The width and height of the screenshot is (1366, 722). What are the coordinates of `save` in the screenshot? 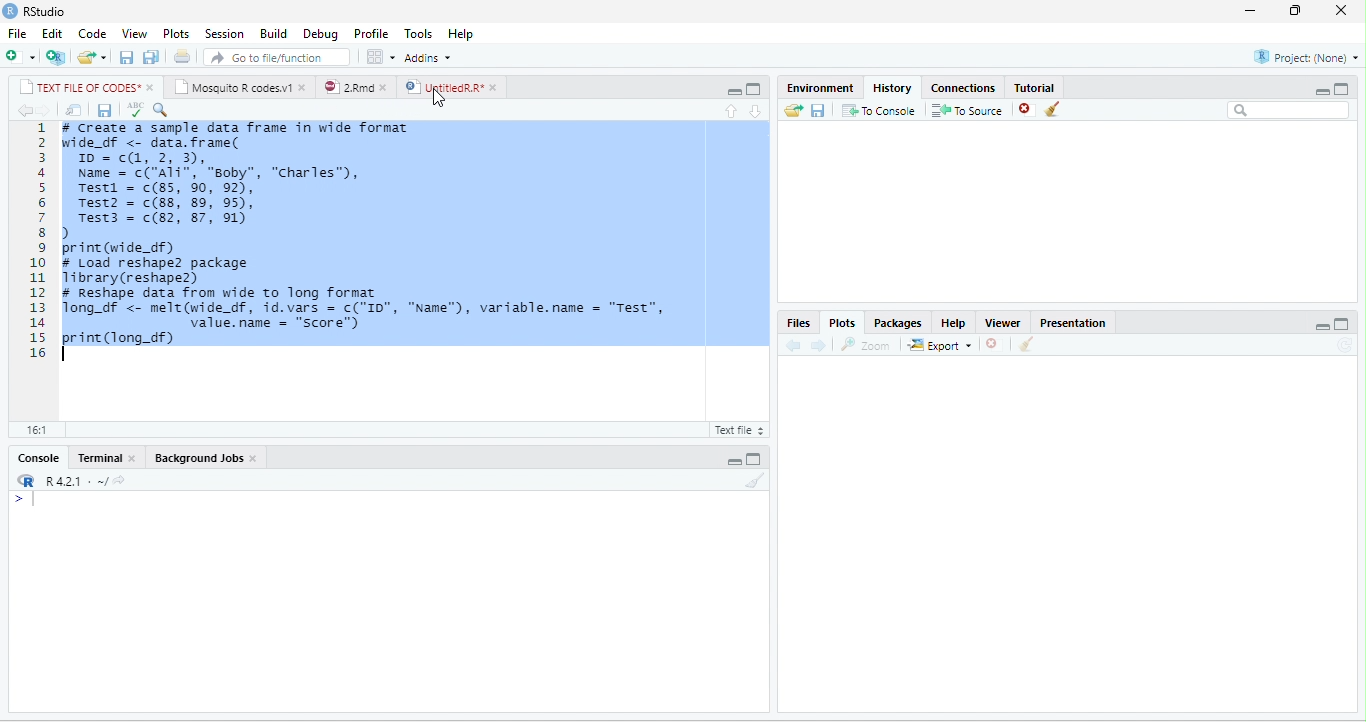 It's located at (105, 110).